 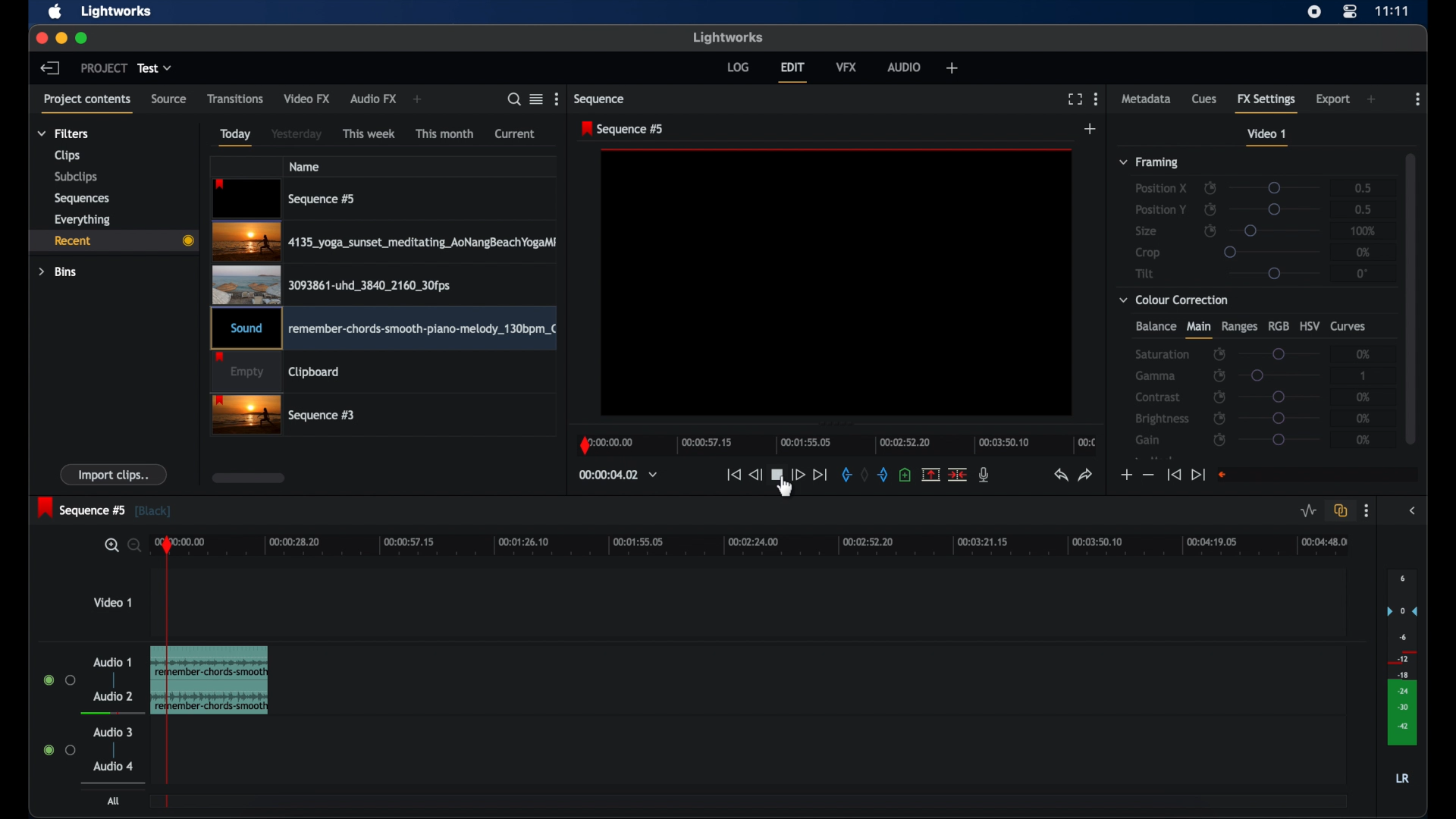 What do you see at coordinates (1271, 251) in the screenshot?
I see `slider` at bounding box center [1271, 251].